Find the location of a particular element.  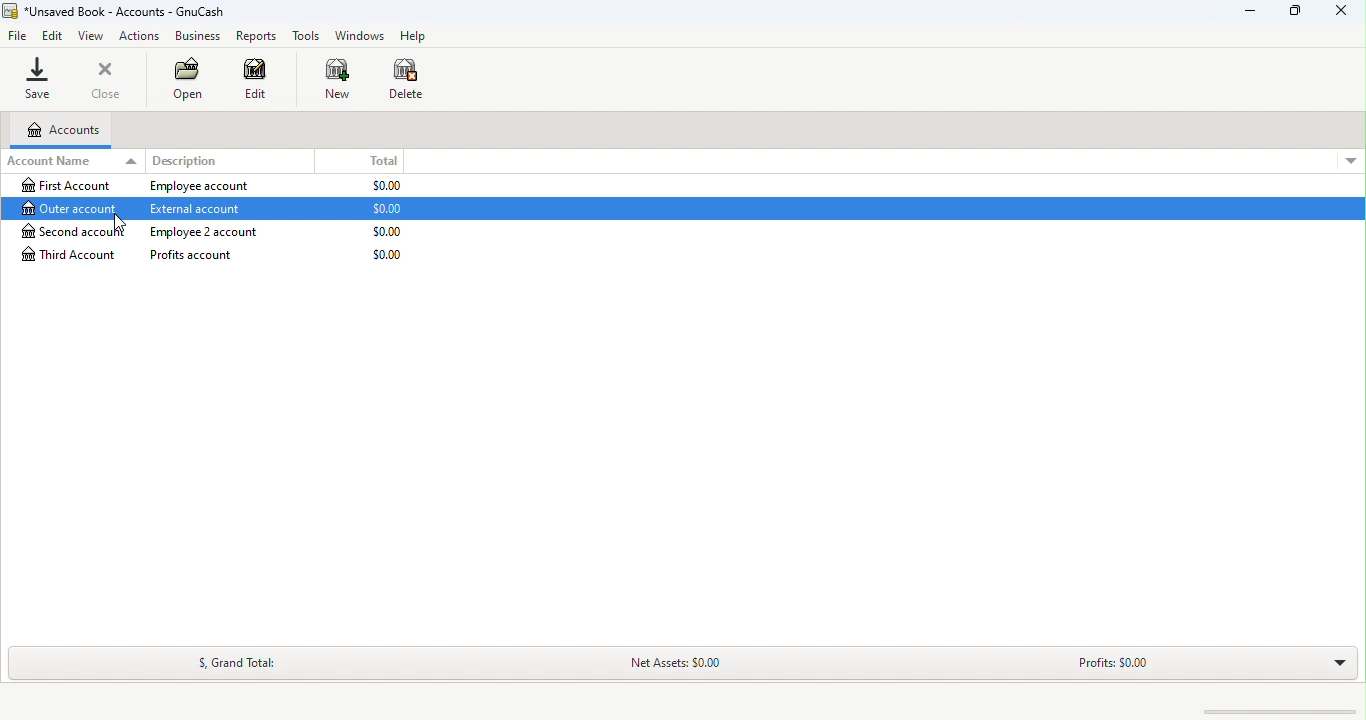

File is located at coordinates (20, 36).